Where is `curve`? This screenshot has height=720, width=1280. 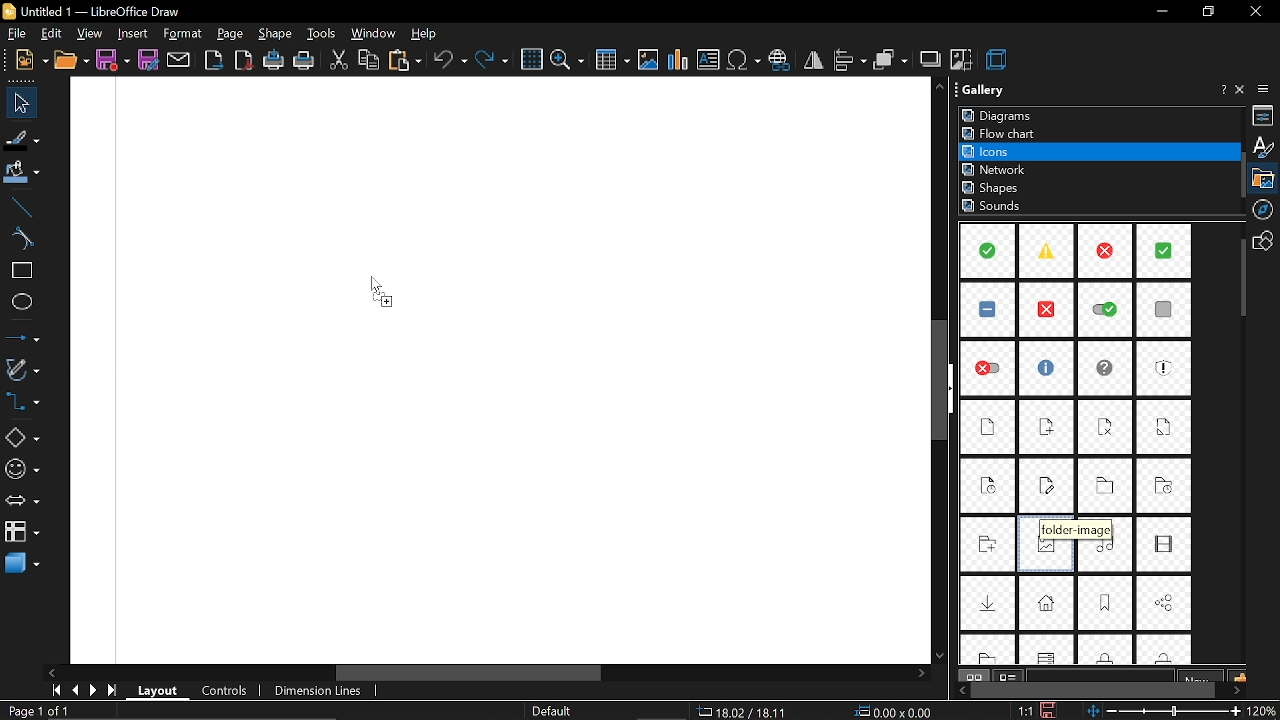
curve is located at coordinates (17, 239).